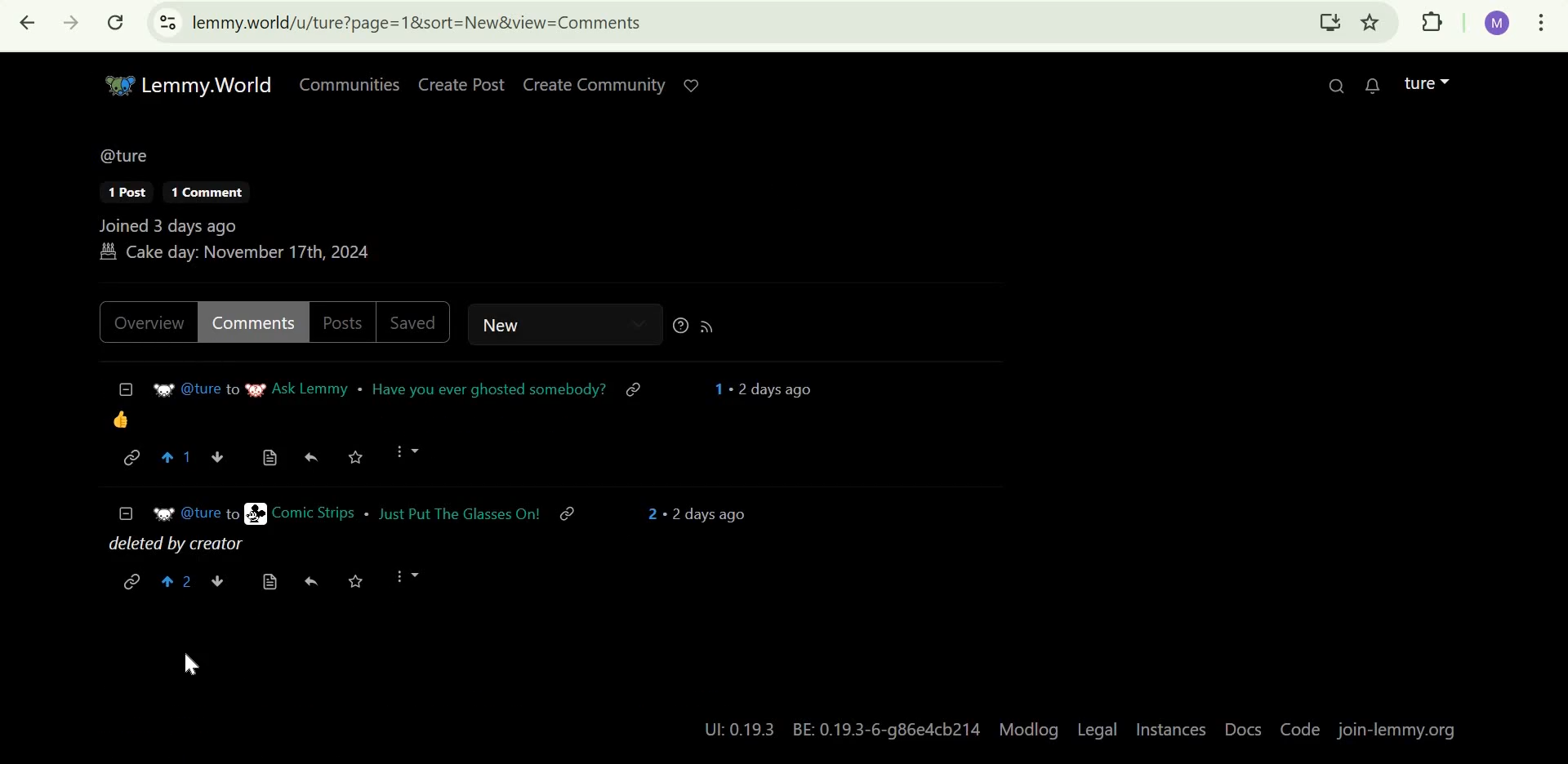 This screenshot has width=1568, height=764. What do you see at coordinates (1544, 23) in the screenshot?
I see `customize and control google chrome` at bounding box center [1544, 23].